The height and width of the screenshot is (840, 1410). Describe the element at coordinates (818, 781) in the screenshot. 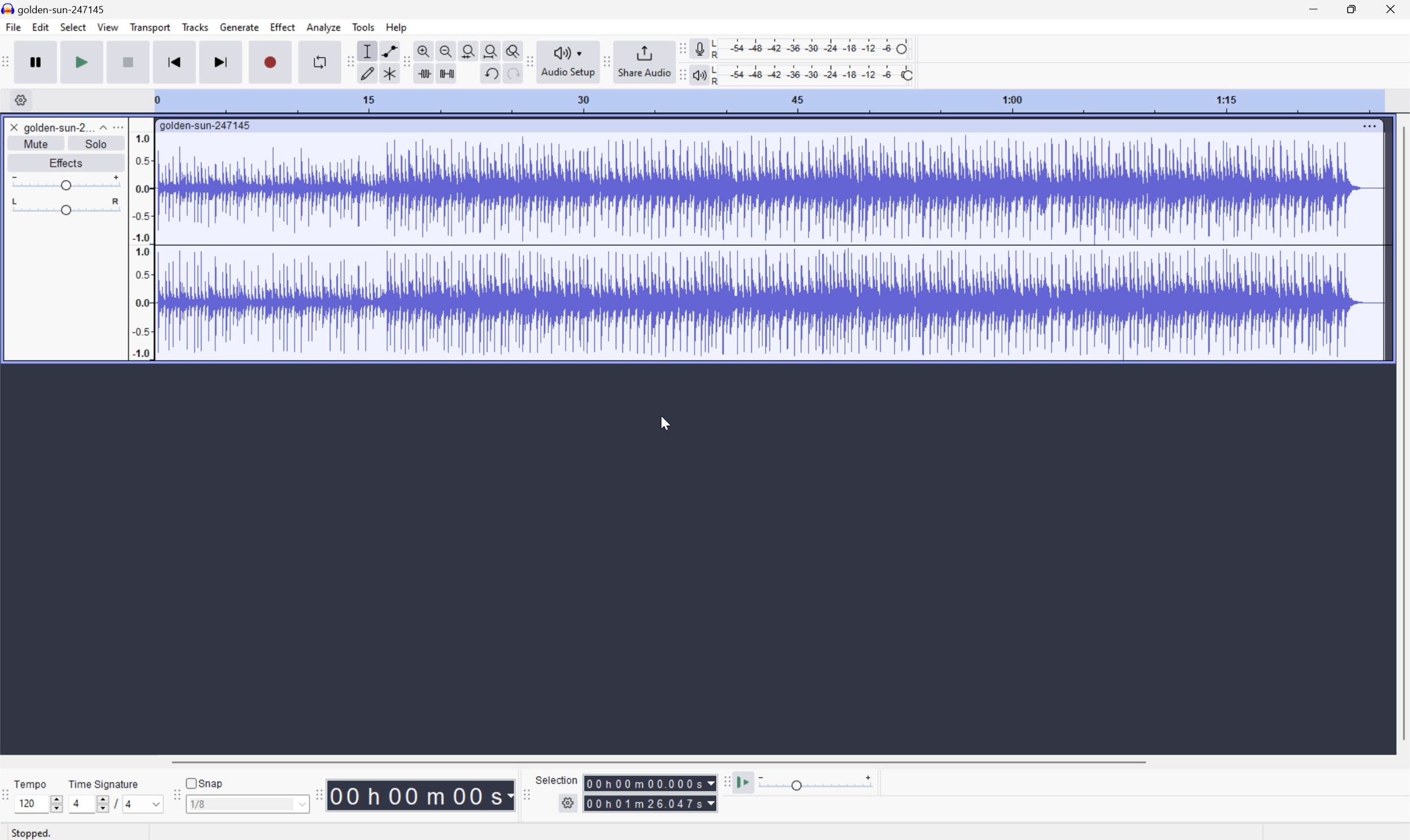

I see `Playback speed: 1.000 x` at that location.